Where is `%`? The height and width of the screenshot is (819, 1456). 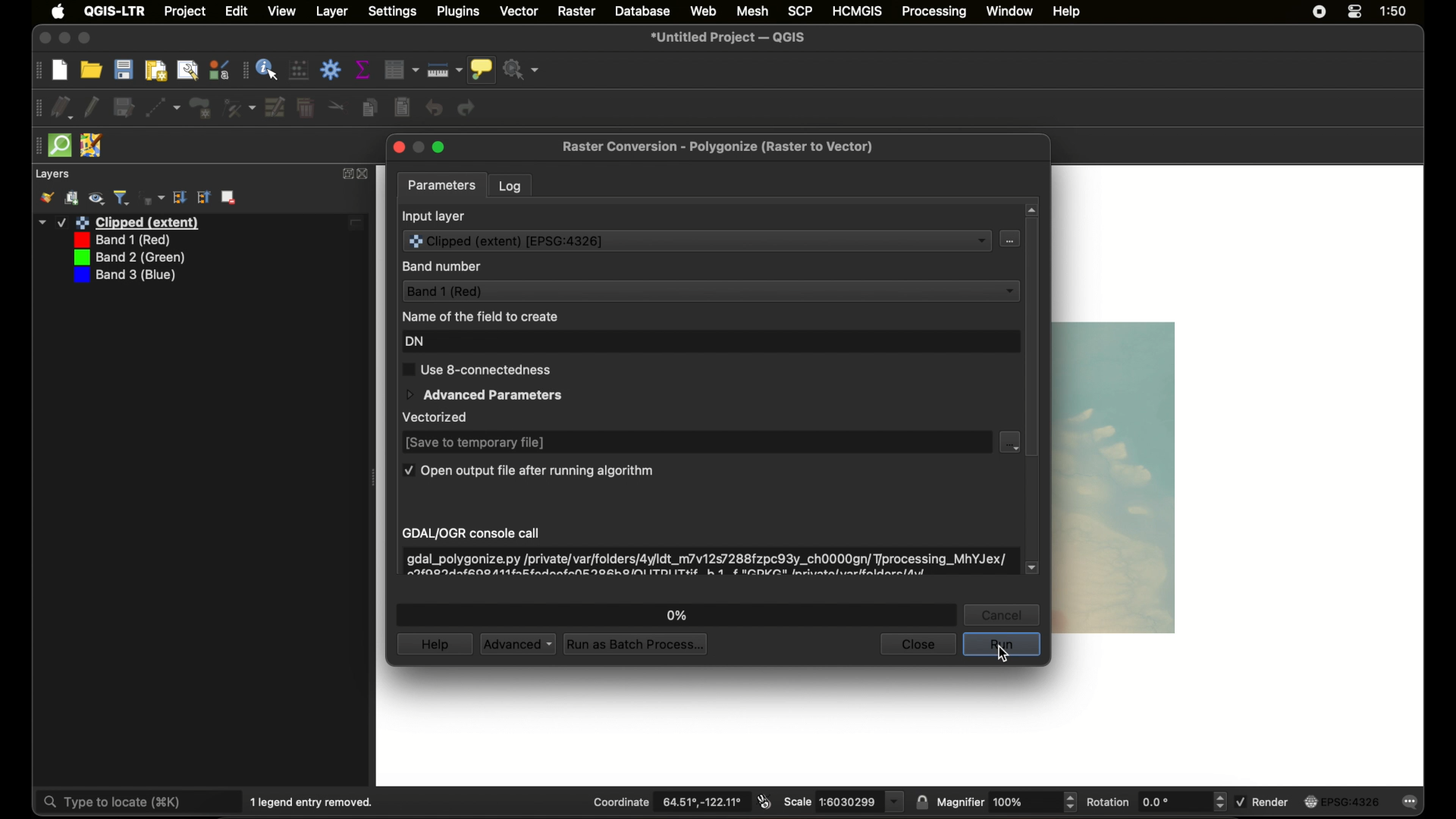
% is located at coordinates (678, 615).